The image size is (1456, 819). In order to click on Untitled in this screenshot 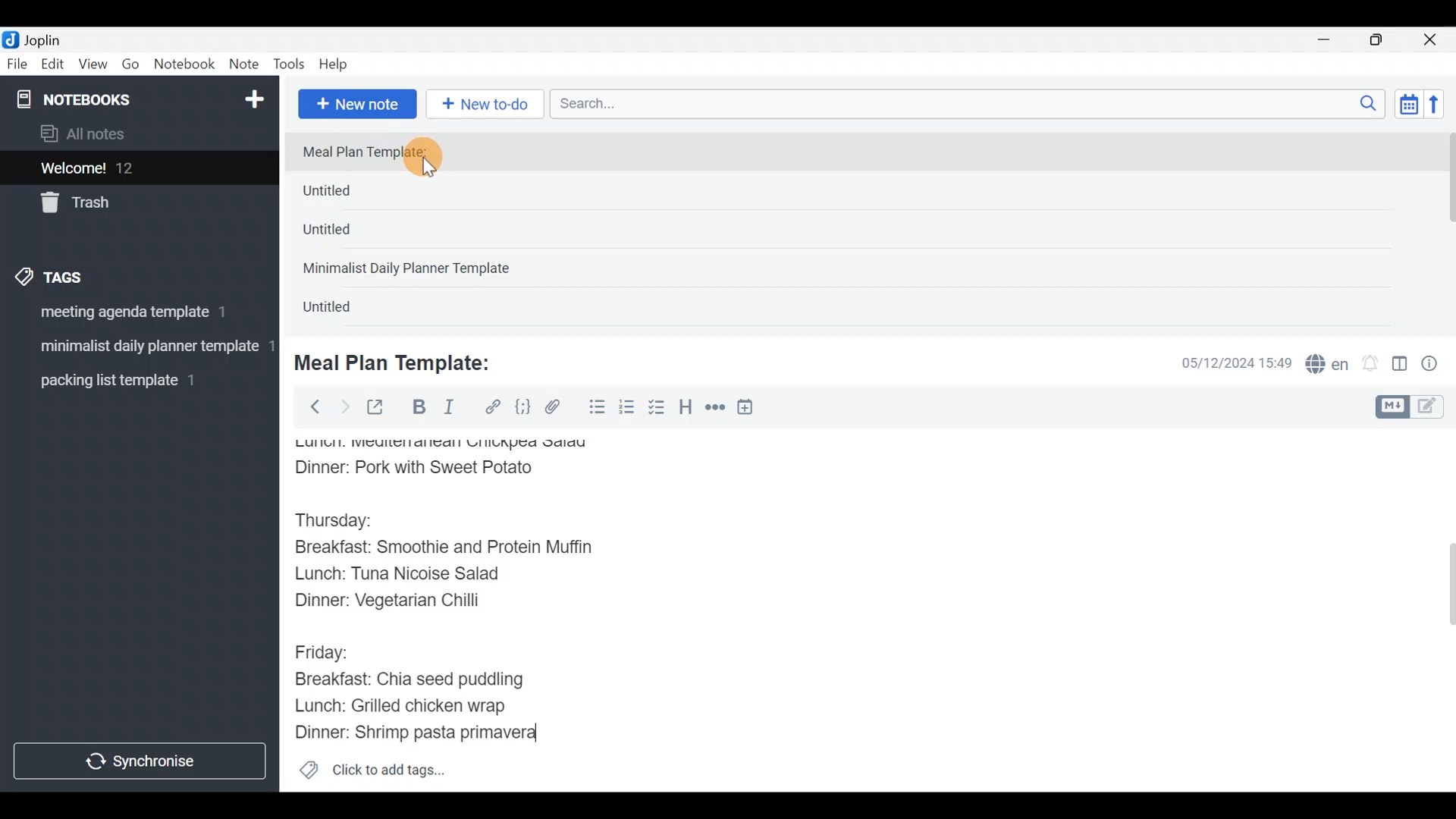, I will do `click(344, 310)`.